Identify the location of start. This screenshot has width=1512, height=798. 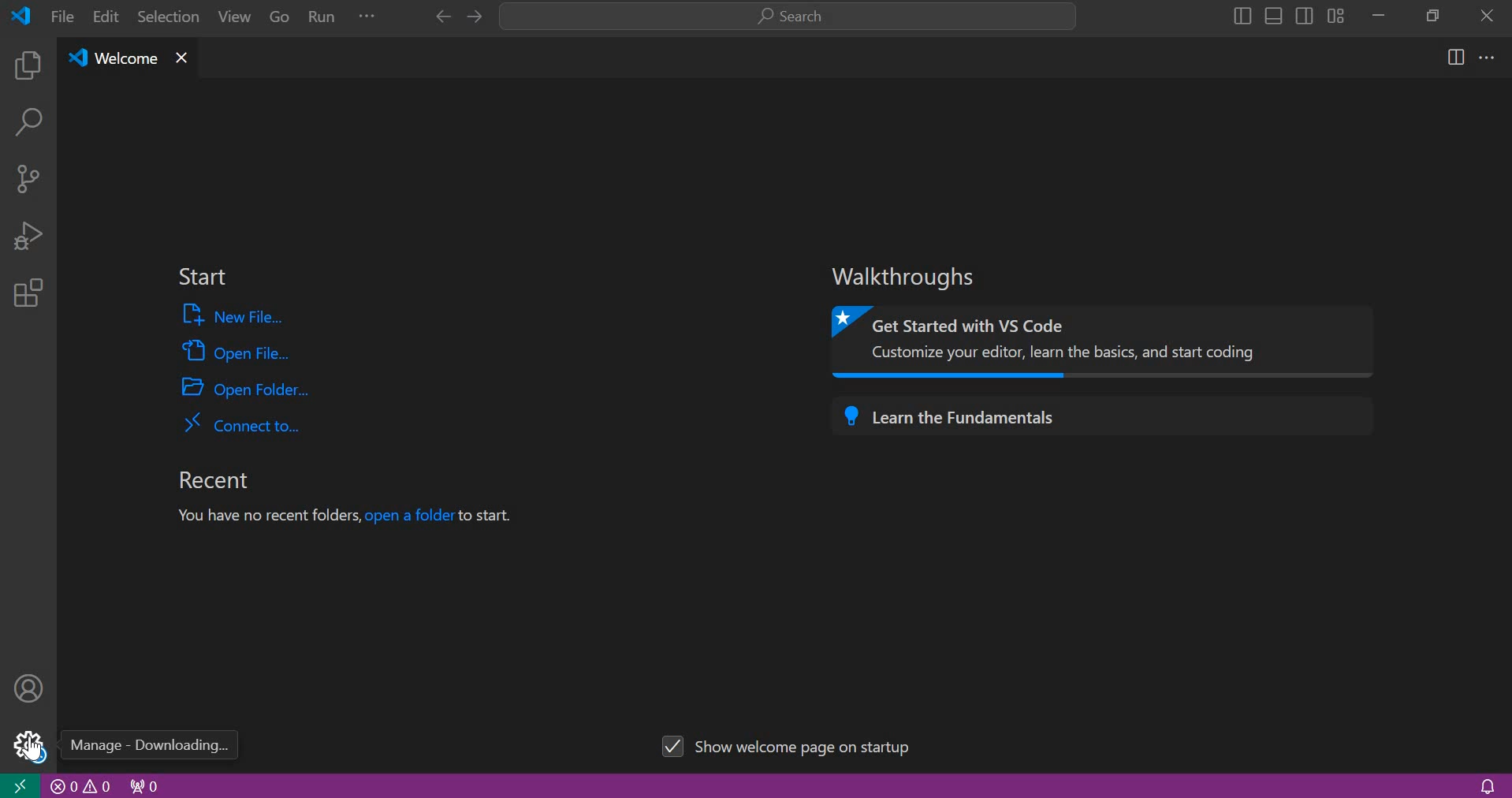
(202, 278).